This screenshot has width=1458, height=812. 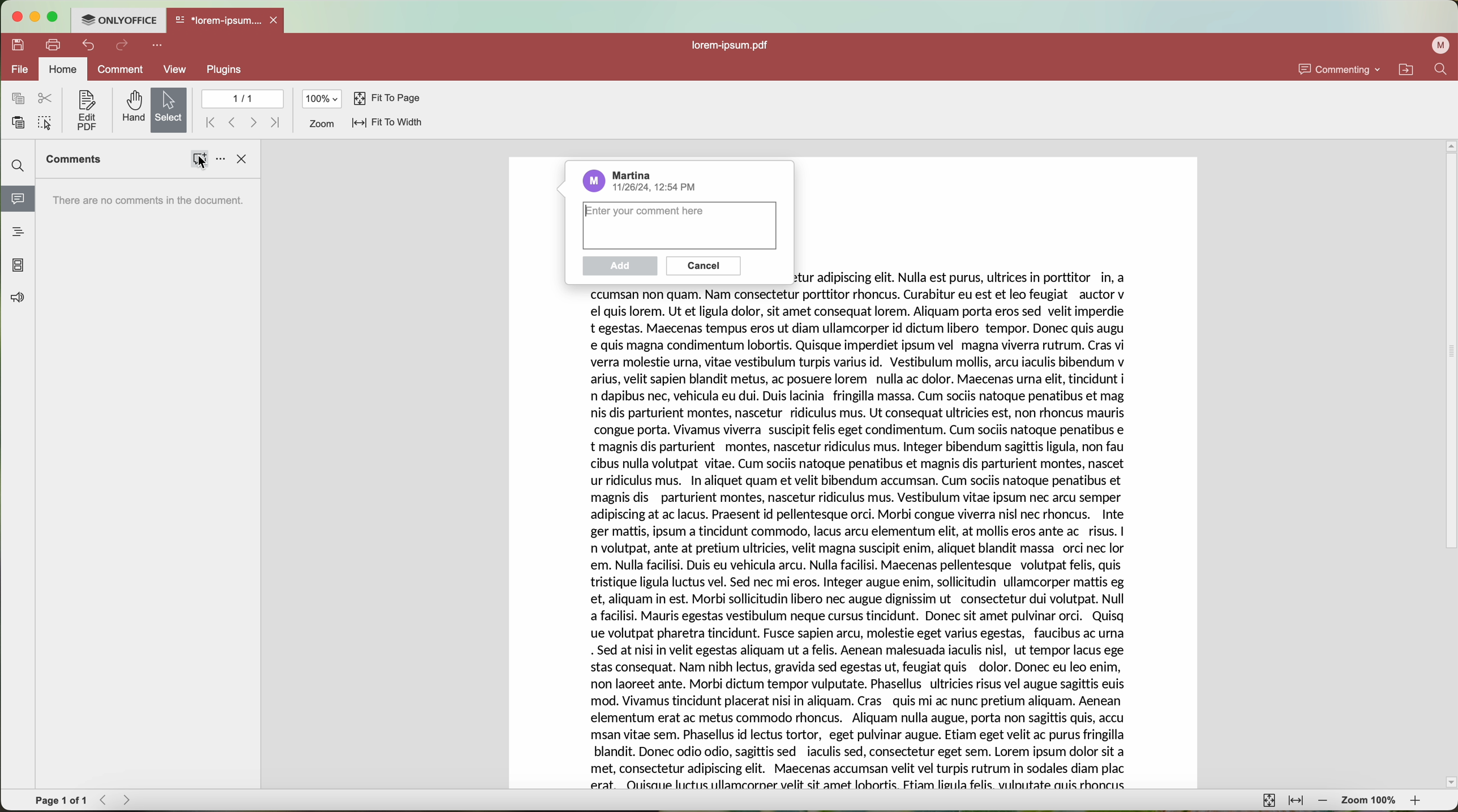 What do you see at coordinates (1324, 802) in the screenshot?
I see `zoom out` at bounding box center [1324, 802].